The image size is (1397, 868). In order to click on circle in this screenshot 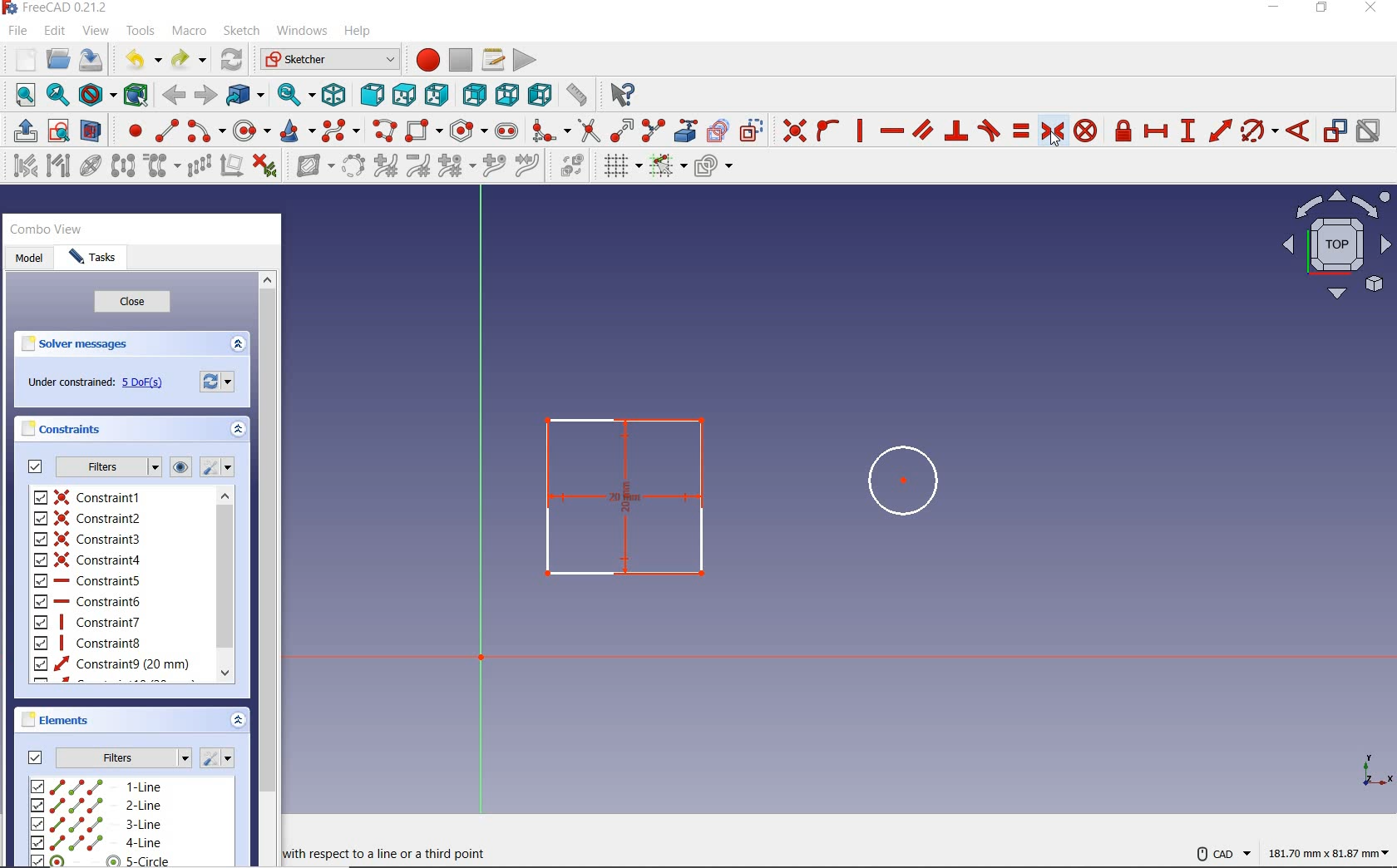, I will do `click(893, 481)`.